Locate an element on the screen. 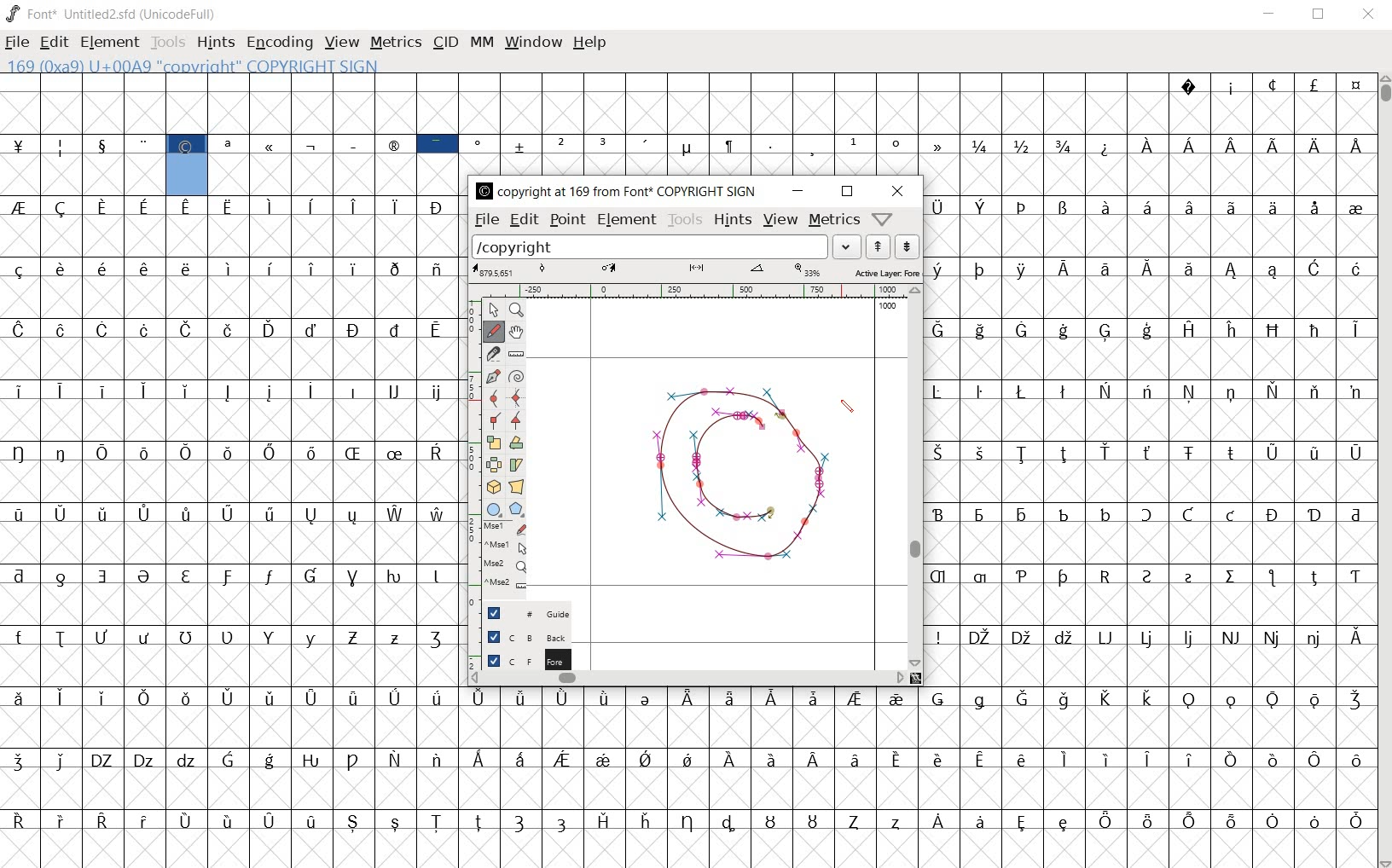 The width and height of the screenshot is (1392, 868). hints is located at coordinates (731, 219).